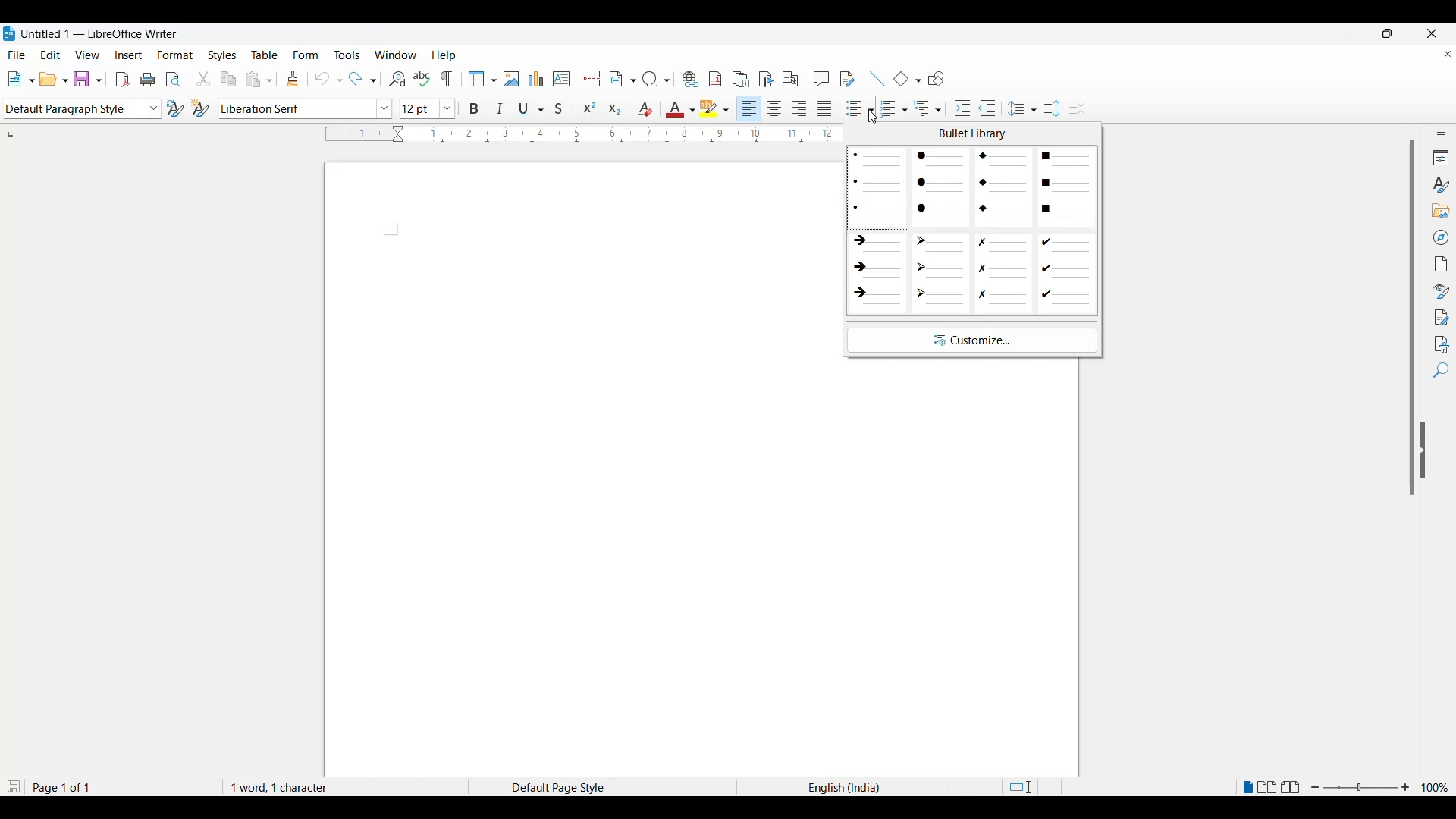 The width and height of the screenshot is (1456, 819). I want to click on insert table, so click(481, 80).